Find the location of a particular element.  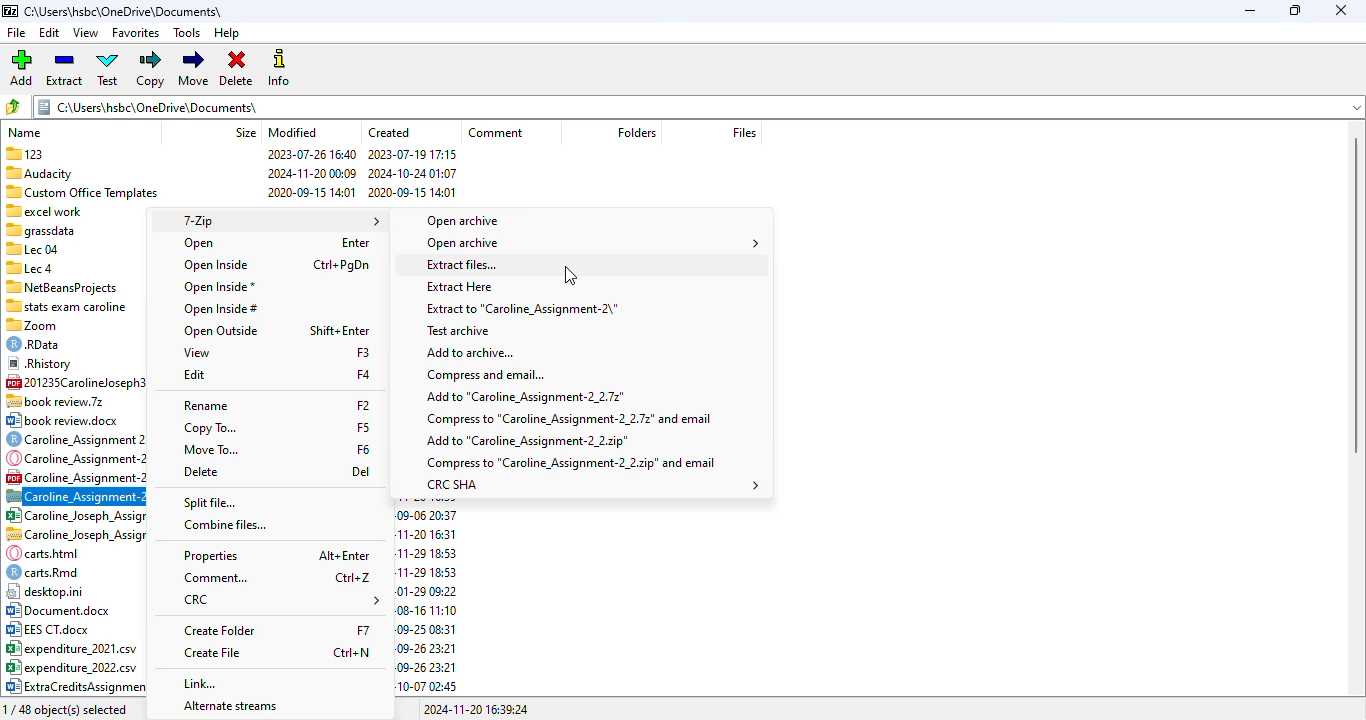

 ExtraCreditsAssignment.... 60228 2023-10-07 0257 2023-10-07 02:45 is located at coordinates (85, 687).